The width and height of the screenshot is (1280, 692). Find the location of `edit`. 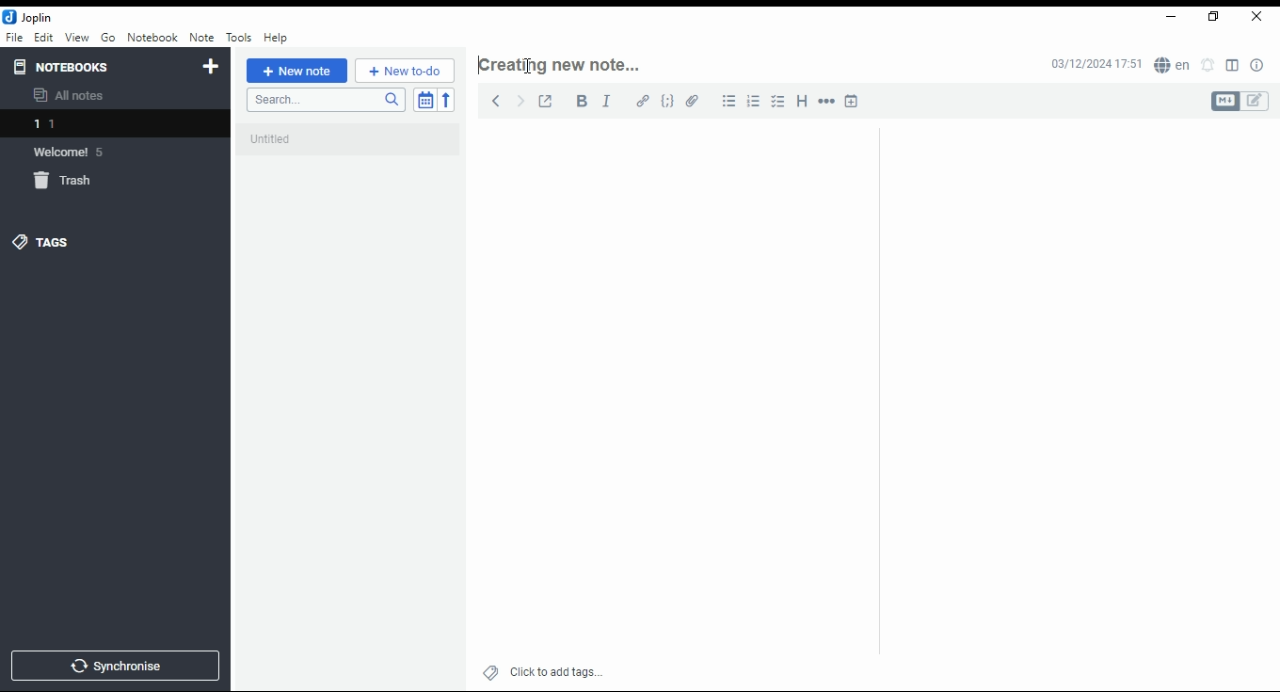

edit is located at coordinates (1257, 101).